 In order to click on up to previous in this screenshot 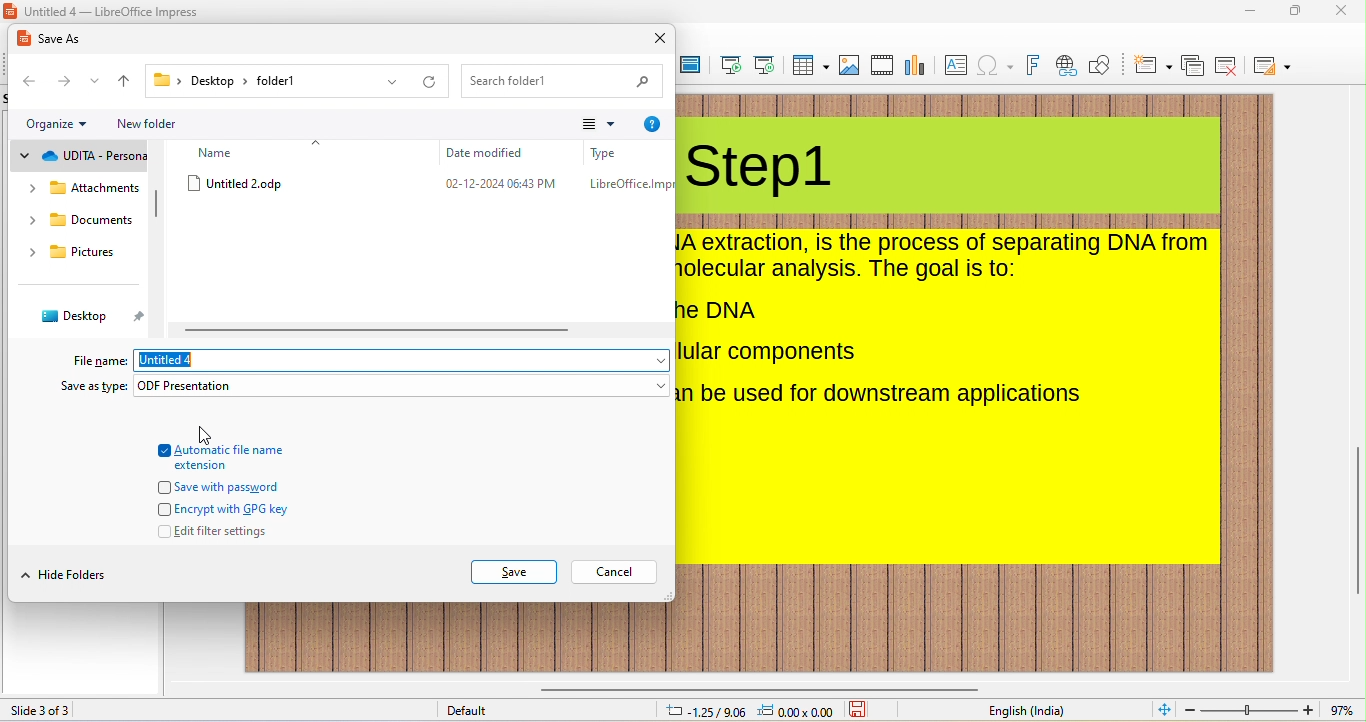, I will do `click(127, 83)`.